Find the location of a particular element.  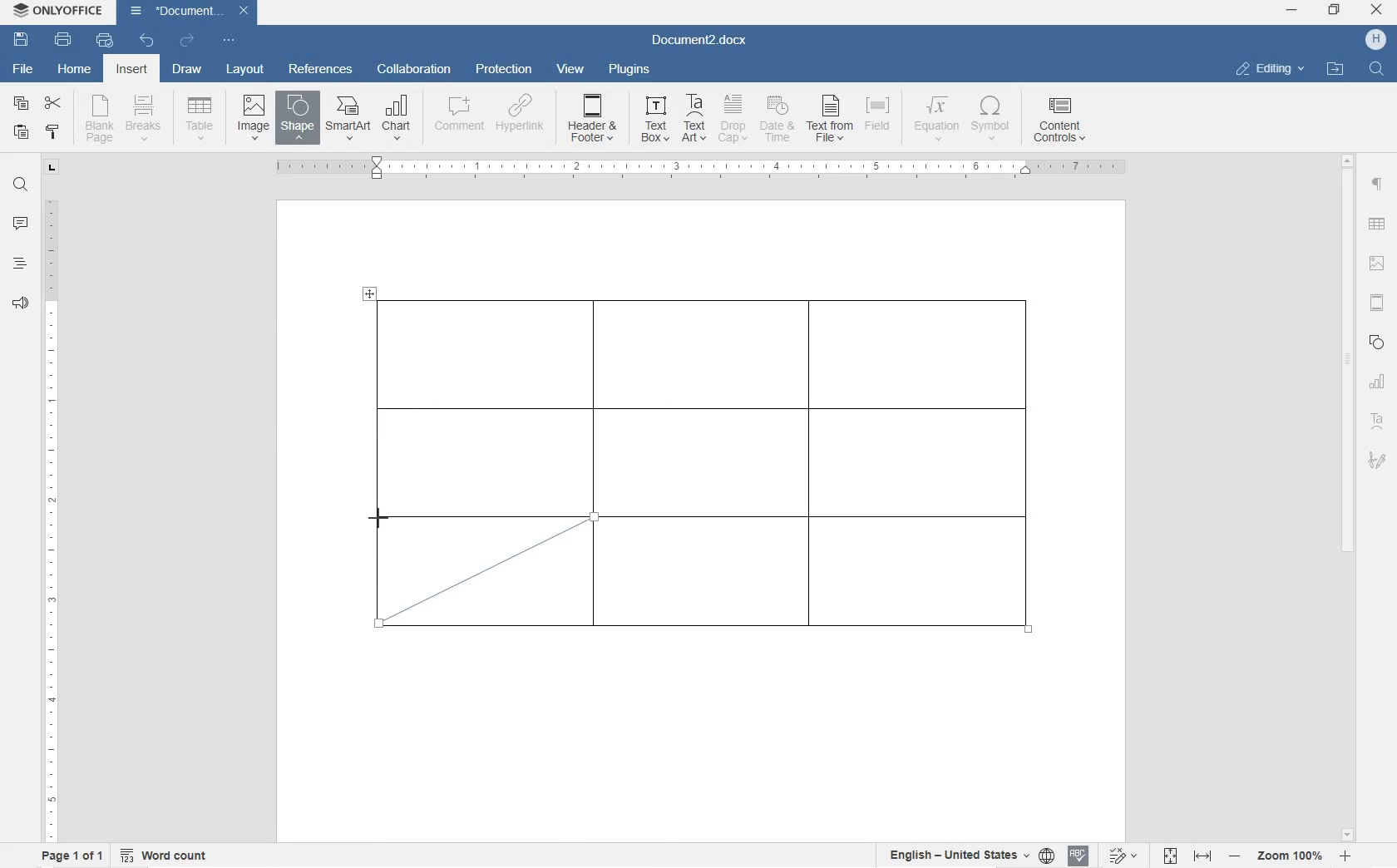

OPEN FILE LOCATION is located at coordinates (1337, 70).